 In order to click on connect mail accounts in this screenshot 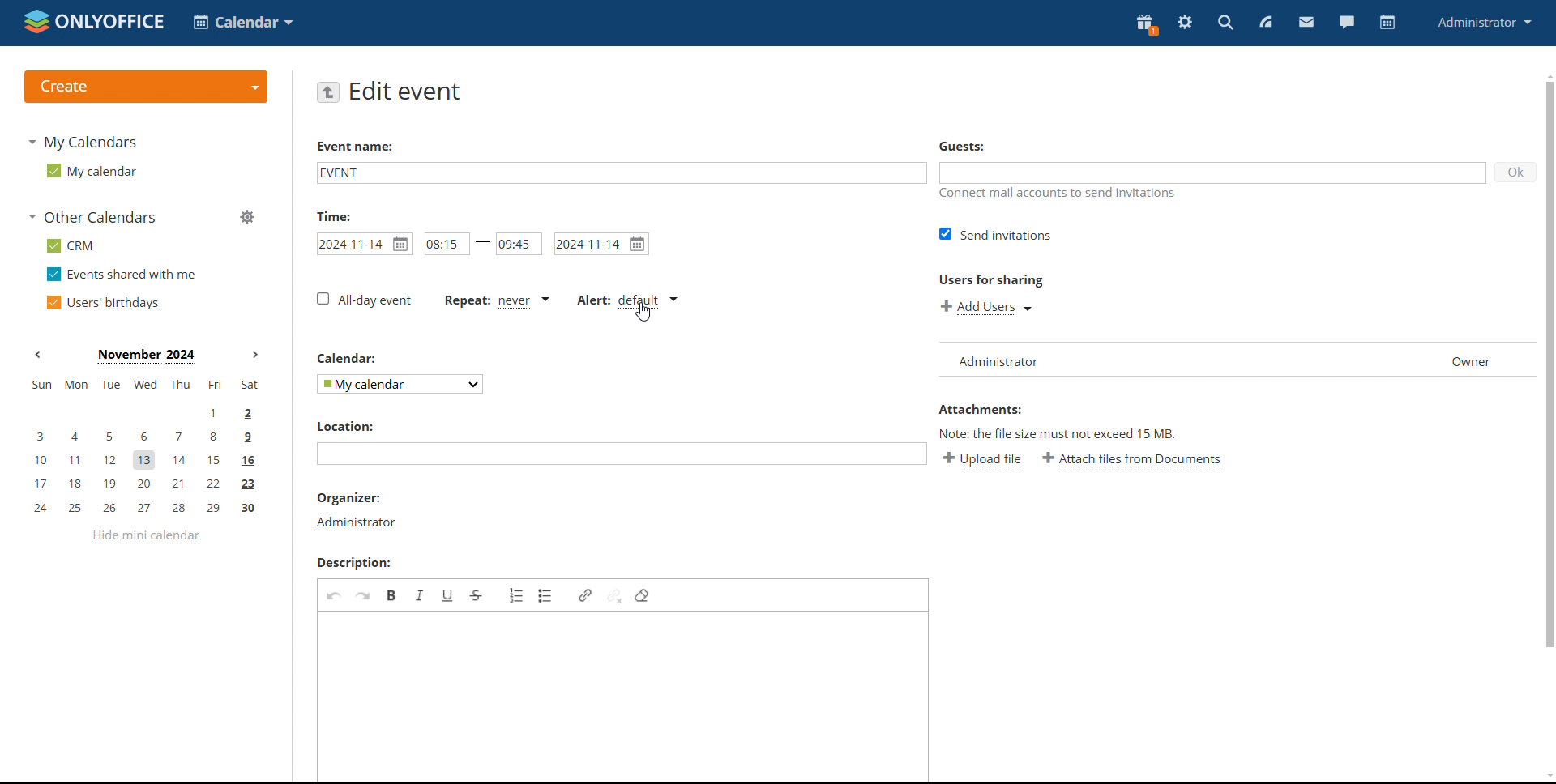, I will do `click(1064, 194)`.